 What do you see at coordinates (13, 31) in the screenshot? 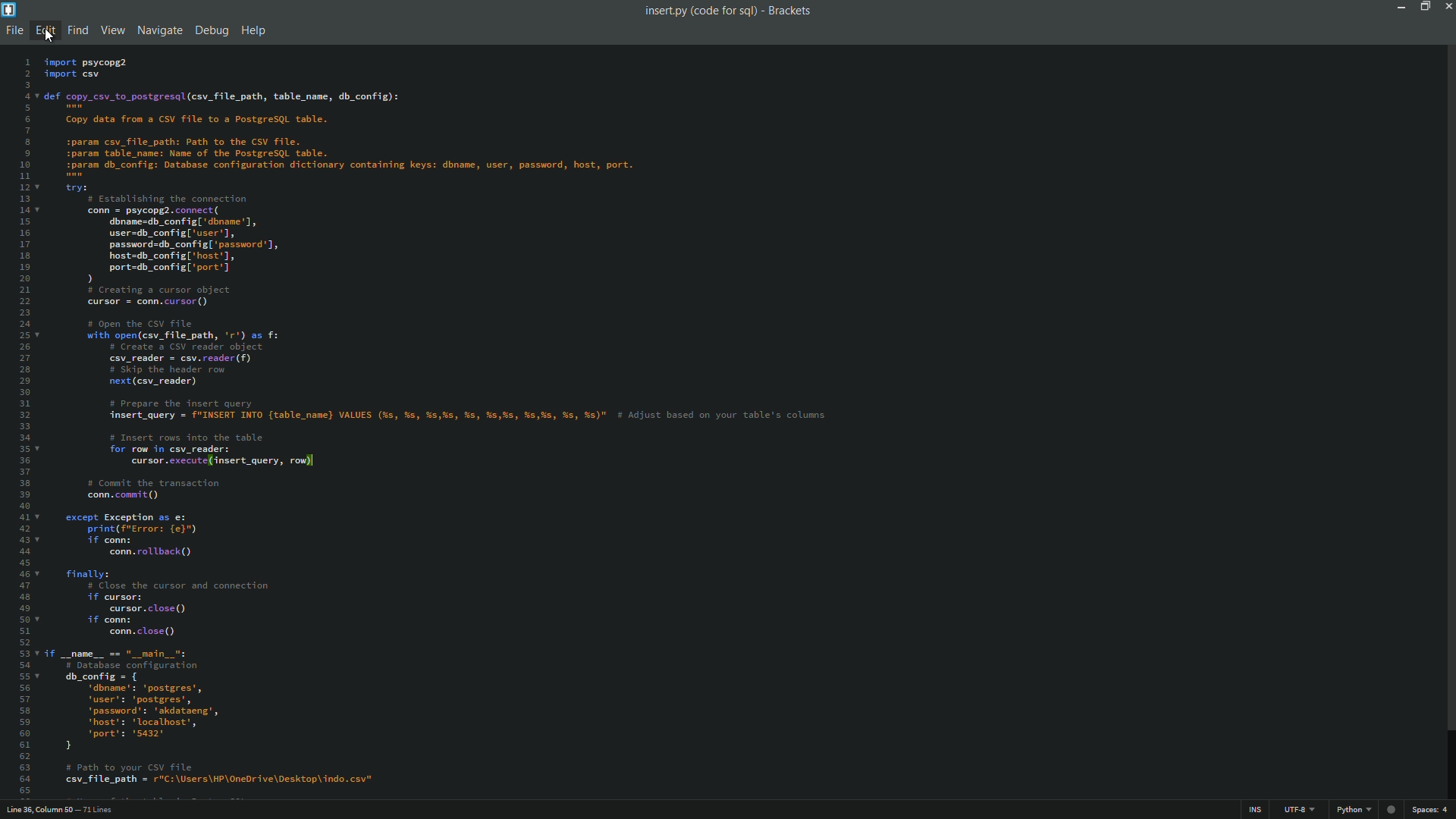
I see `file menu` at bounding box center [13, 31].